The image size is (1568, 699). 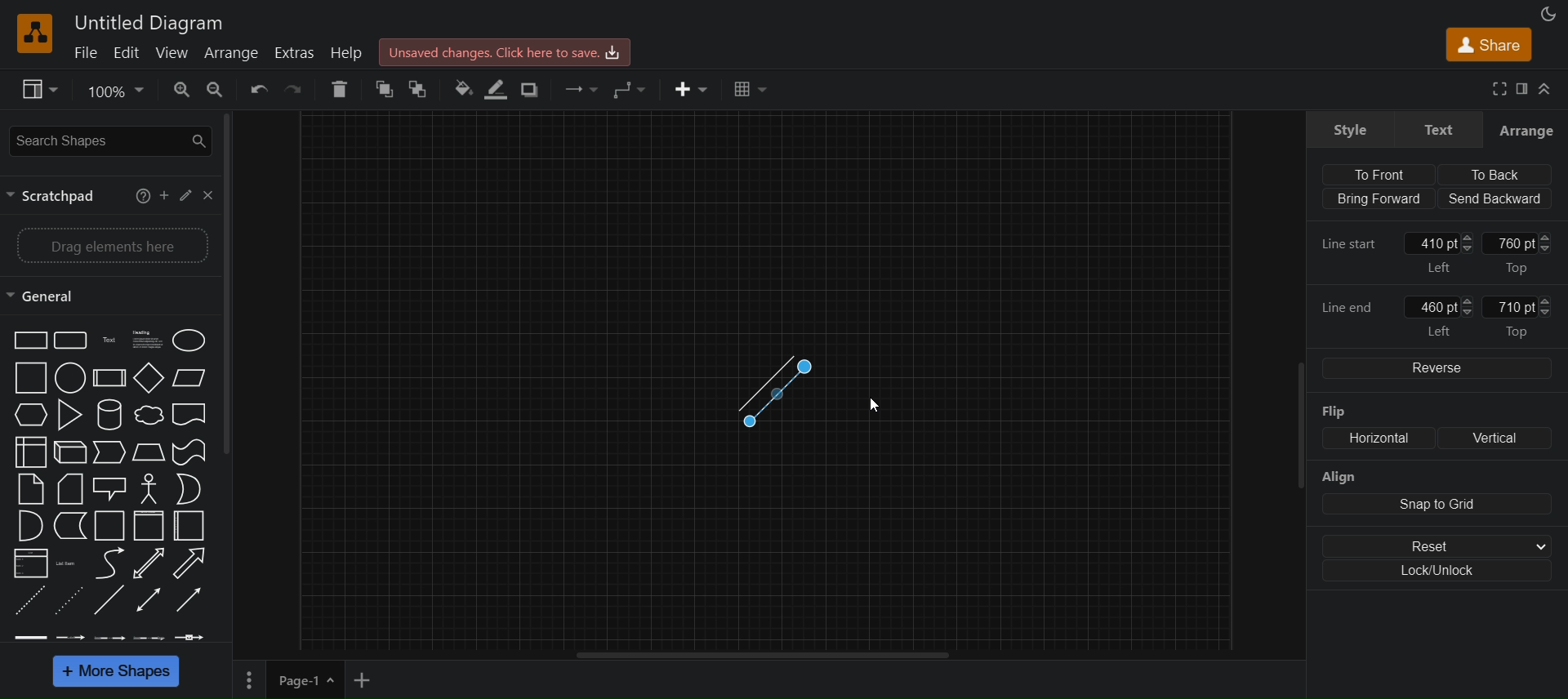 I want to click on And, so click(x=29, y=525).